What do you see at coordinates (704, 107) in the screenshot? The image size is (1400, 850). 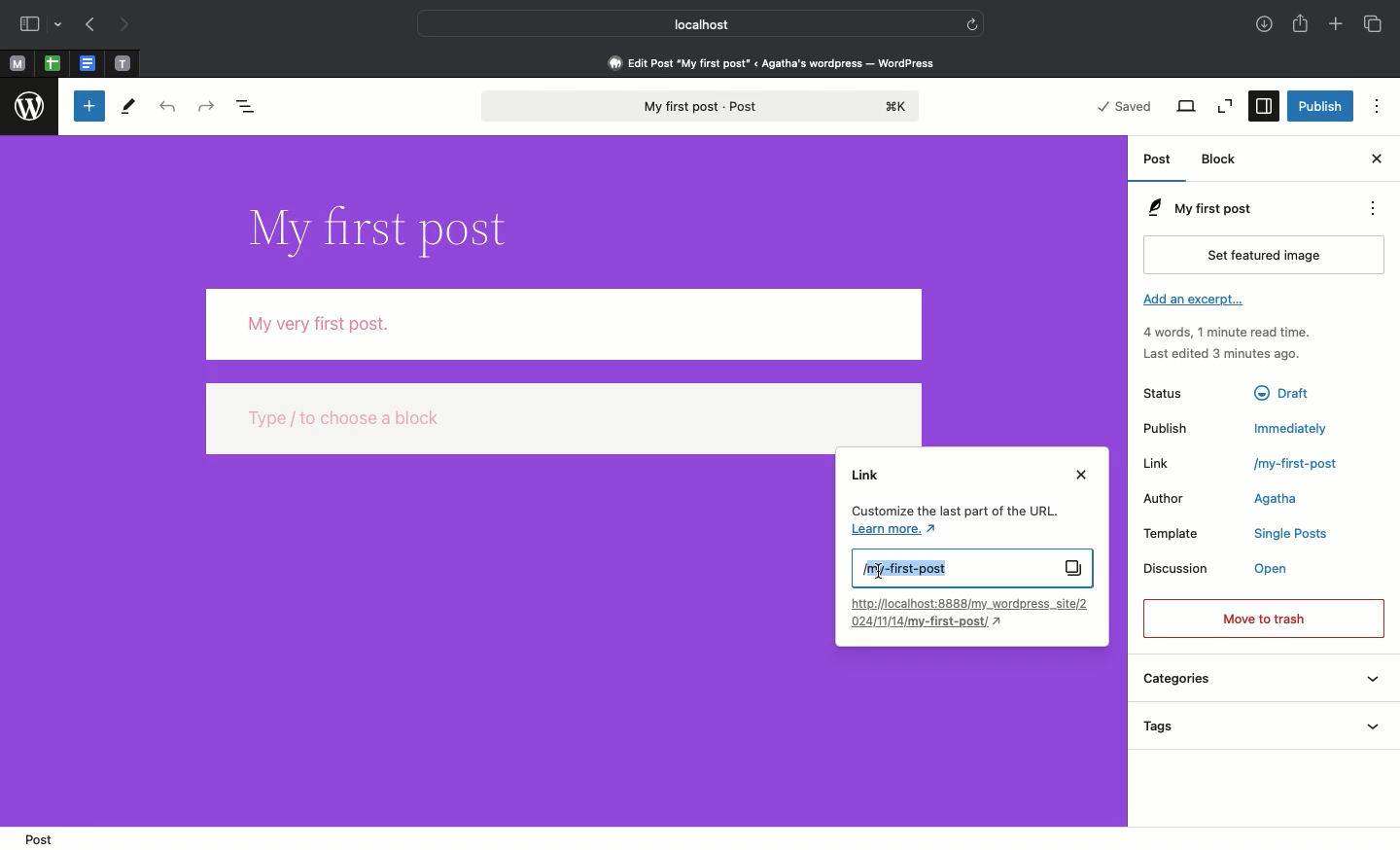 I see `My first post` at bounding box center [704, 107].